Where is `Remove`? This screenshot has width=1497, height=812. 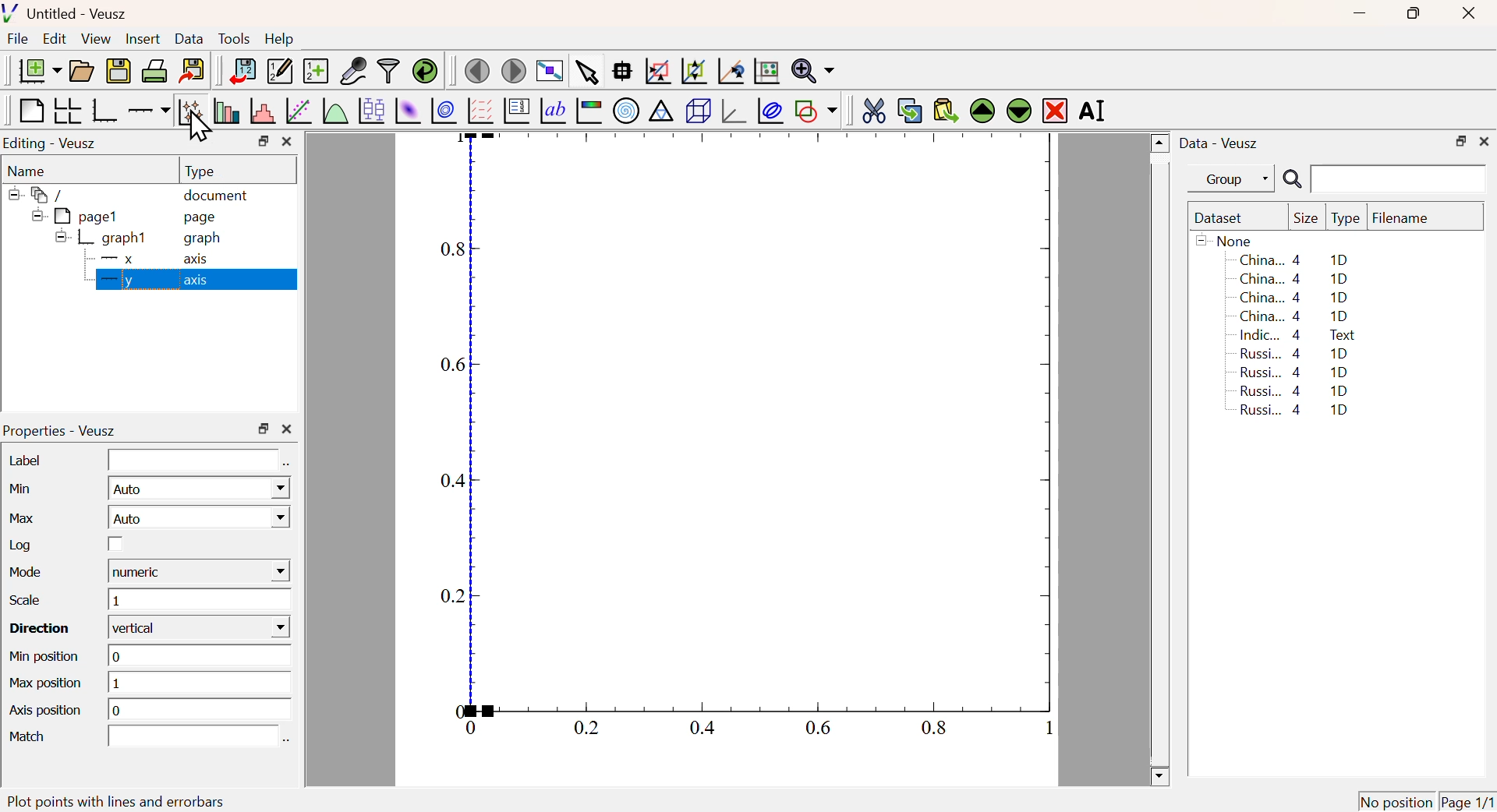
Remove is located at coordinates (1056, 111).